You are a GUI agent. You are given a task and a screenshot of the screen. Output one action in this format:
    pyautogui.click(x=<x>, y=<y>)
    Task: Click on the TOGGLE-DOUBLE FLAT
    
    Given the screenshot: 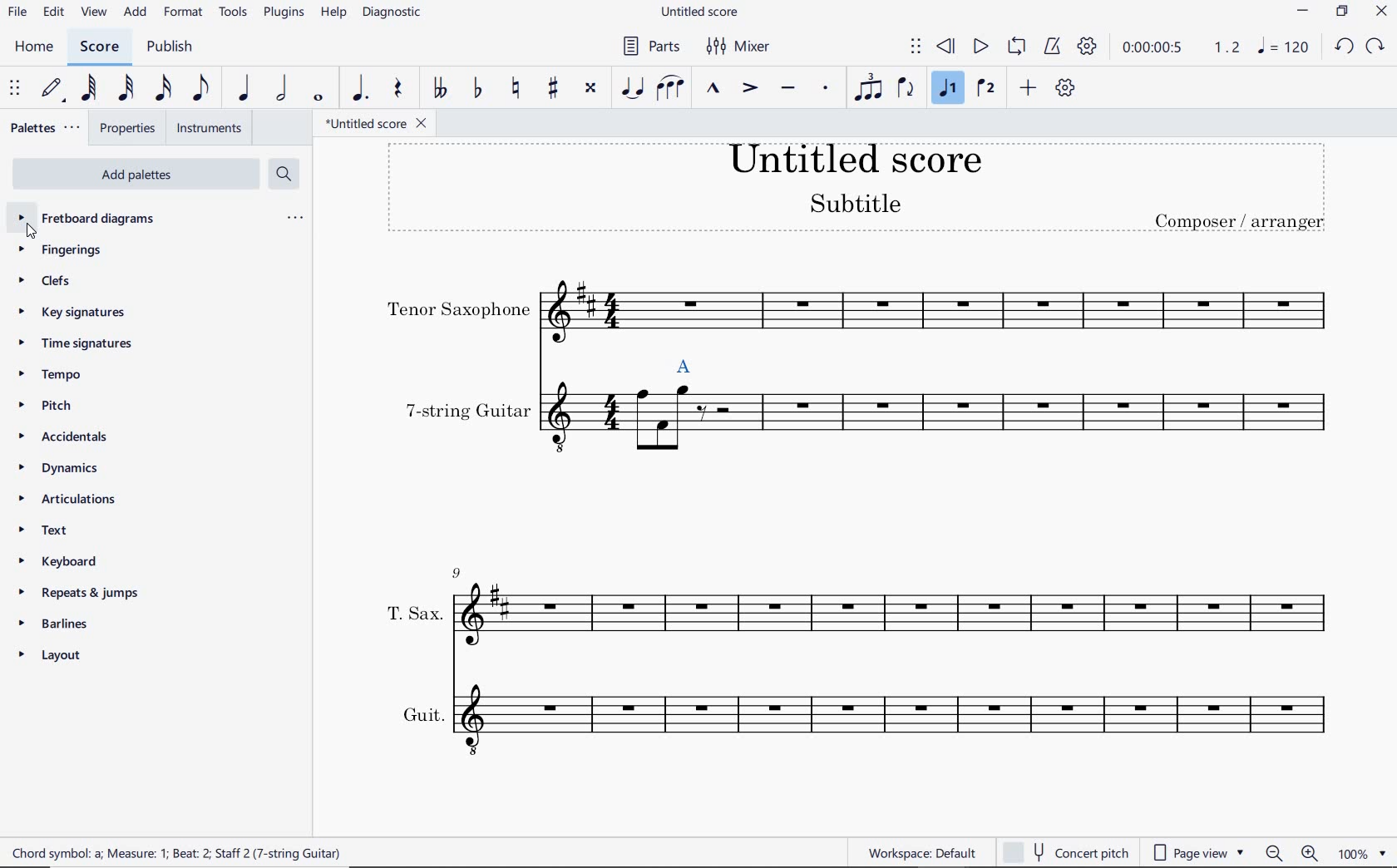 What is the action you would take?
    pyautogui.click(x=438, y=86)
    